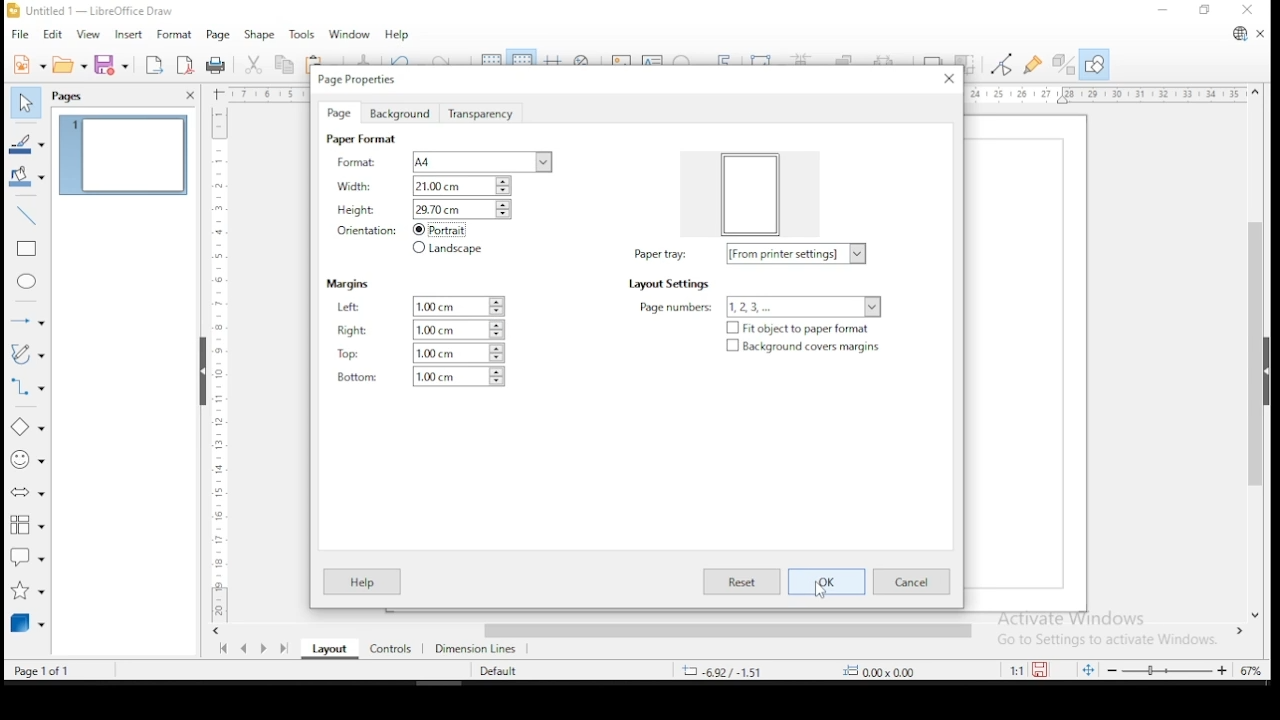 The height and width of the screenshot is (720, 1280). I want to click on export as pdf, so click(184, 66).